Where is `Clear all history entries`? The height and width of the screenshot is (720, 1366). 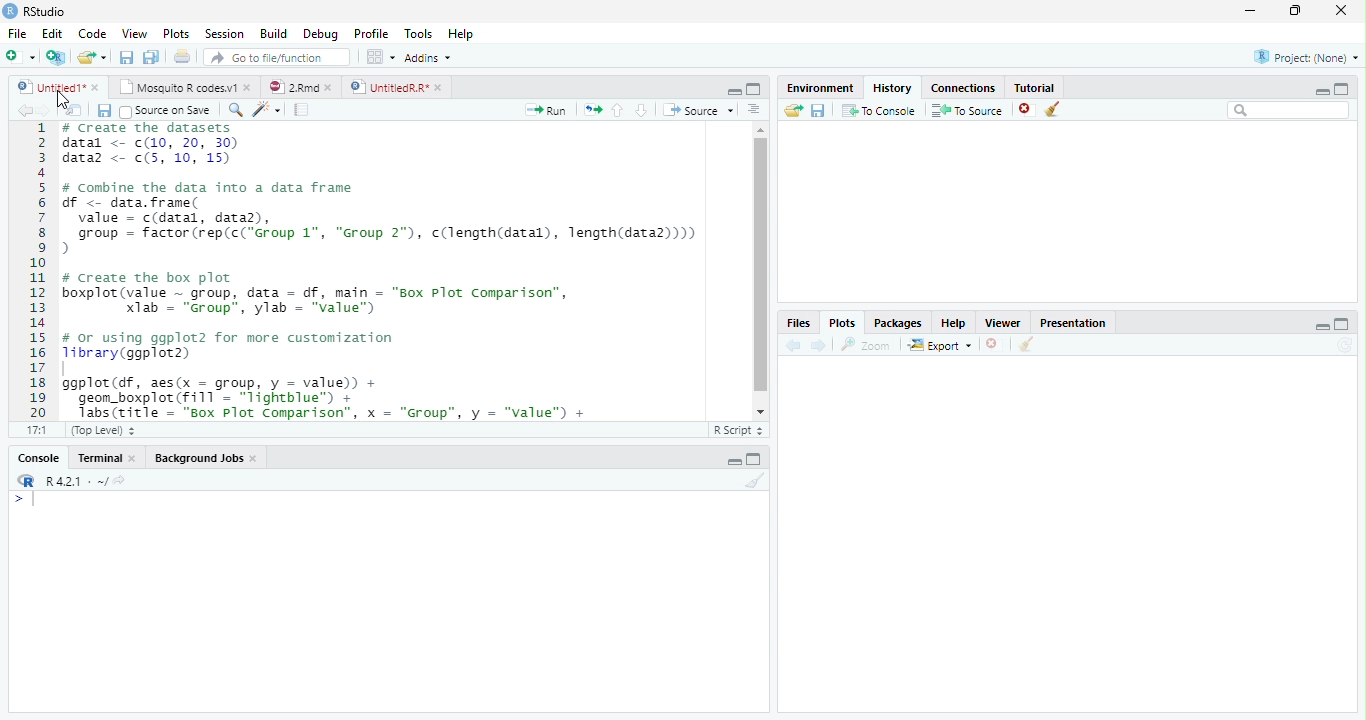
Clear all history entries is located at coordinates (1053, 109).